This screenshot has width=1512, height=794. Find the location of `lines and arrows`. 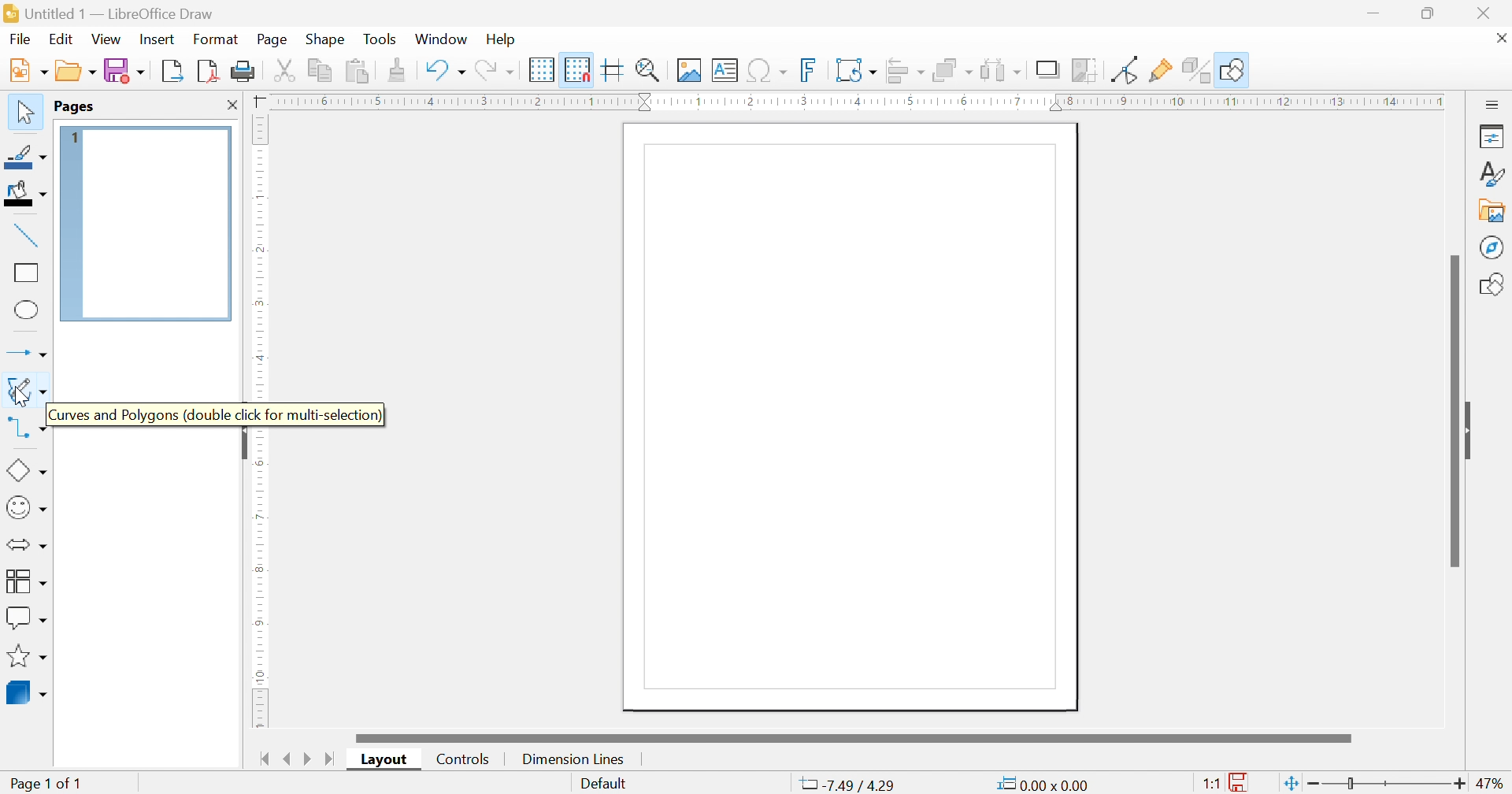

lines and arrows is located at coordinates (29, 354).